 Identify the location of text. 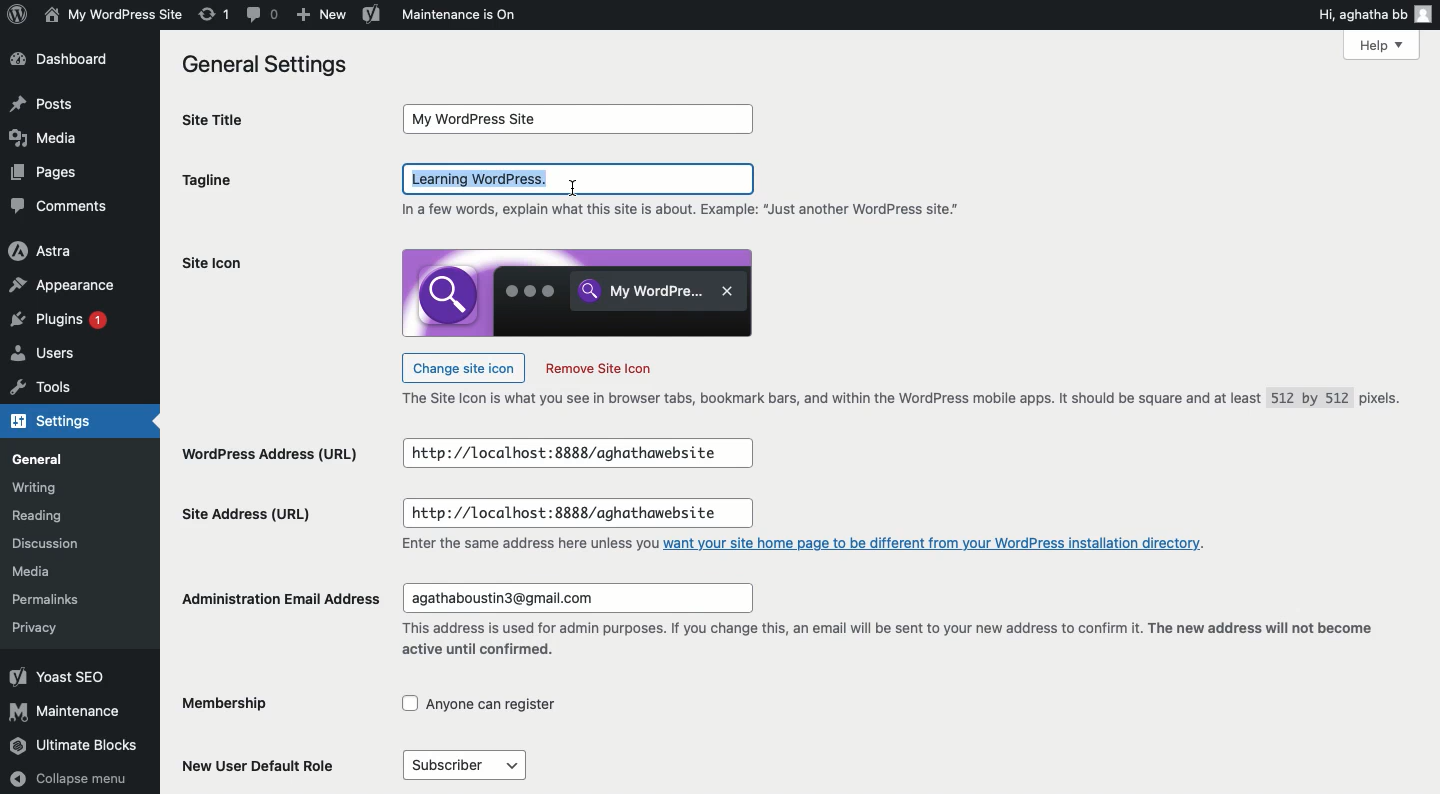
(687, 211).